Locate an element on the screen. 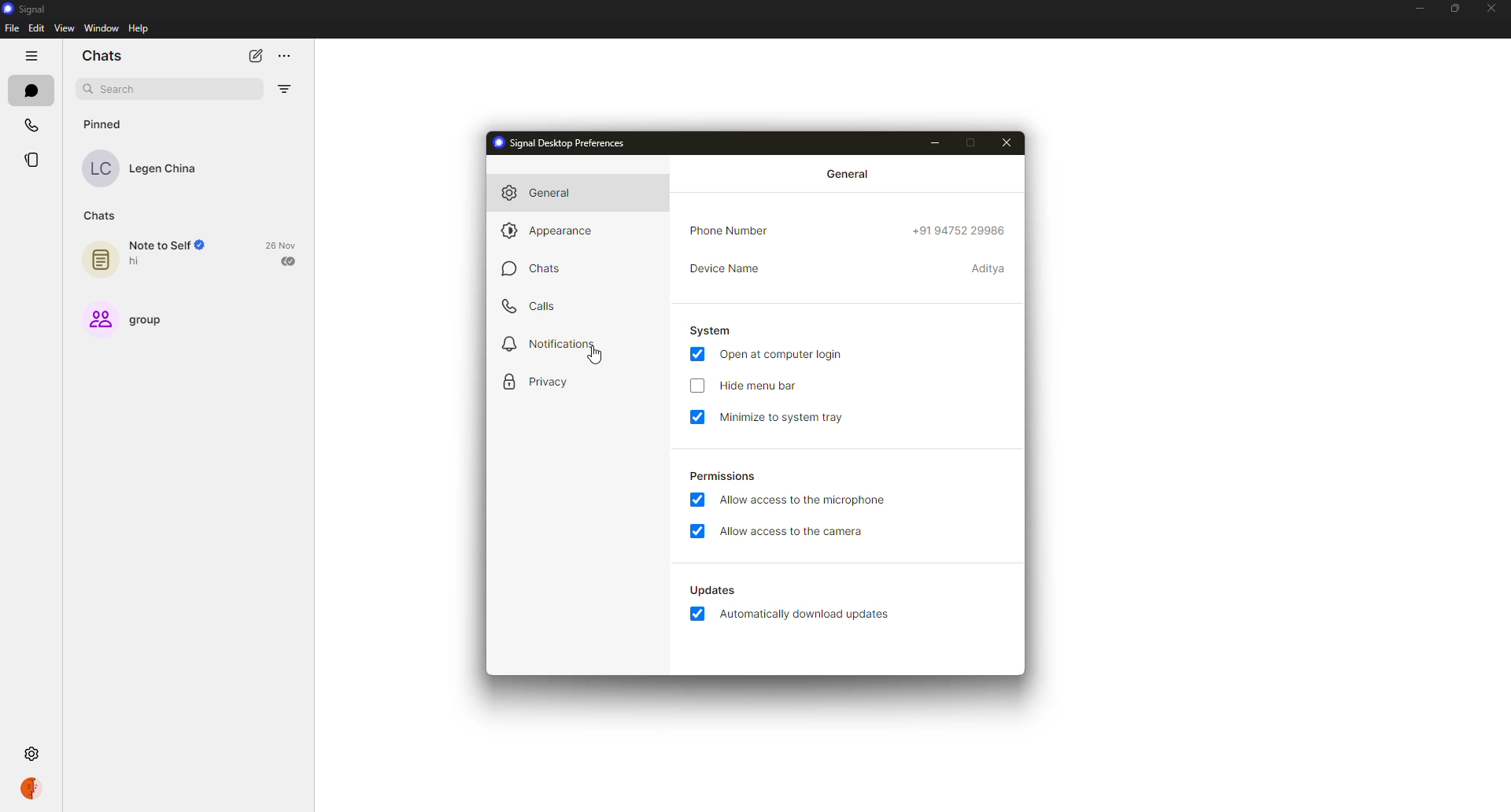  notifications is located at coordinates (555, 341).